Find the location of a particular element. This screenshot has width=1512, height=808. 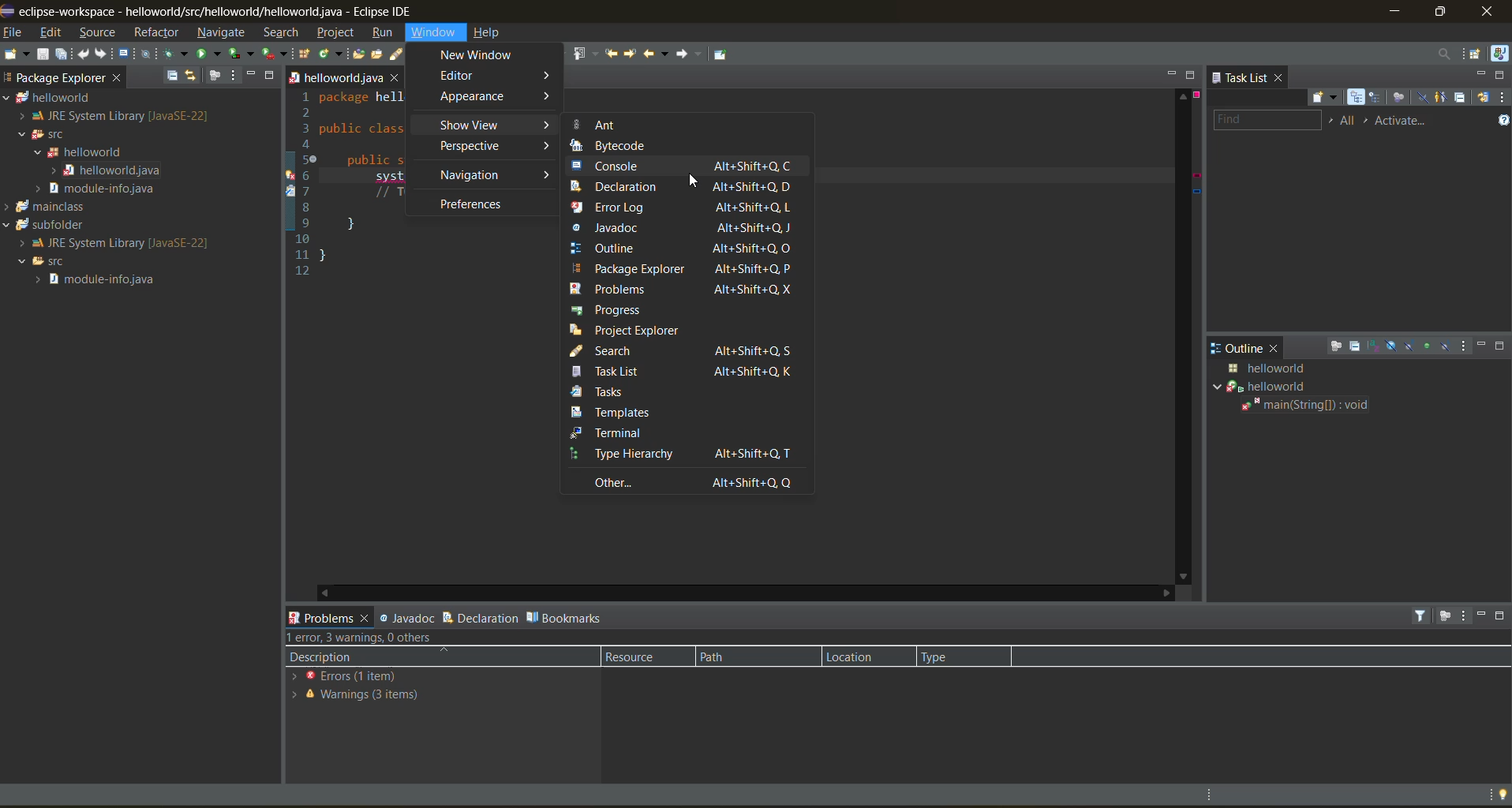

toggle  block selection mode is located at coordinates (505, 54).